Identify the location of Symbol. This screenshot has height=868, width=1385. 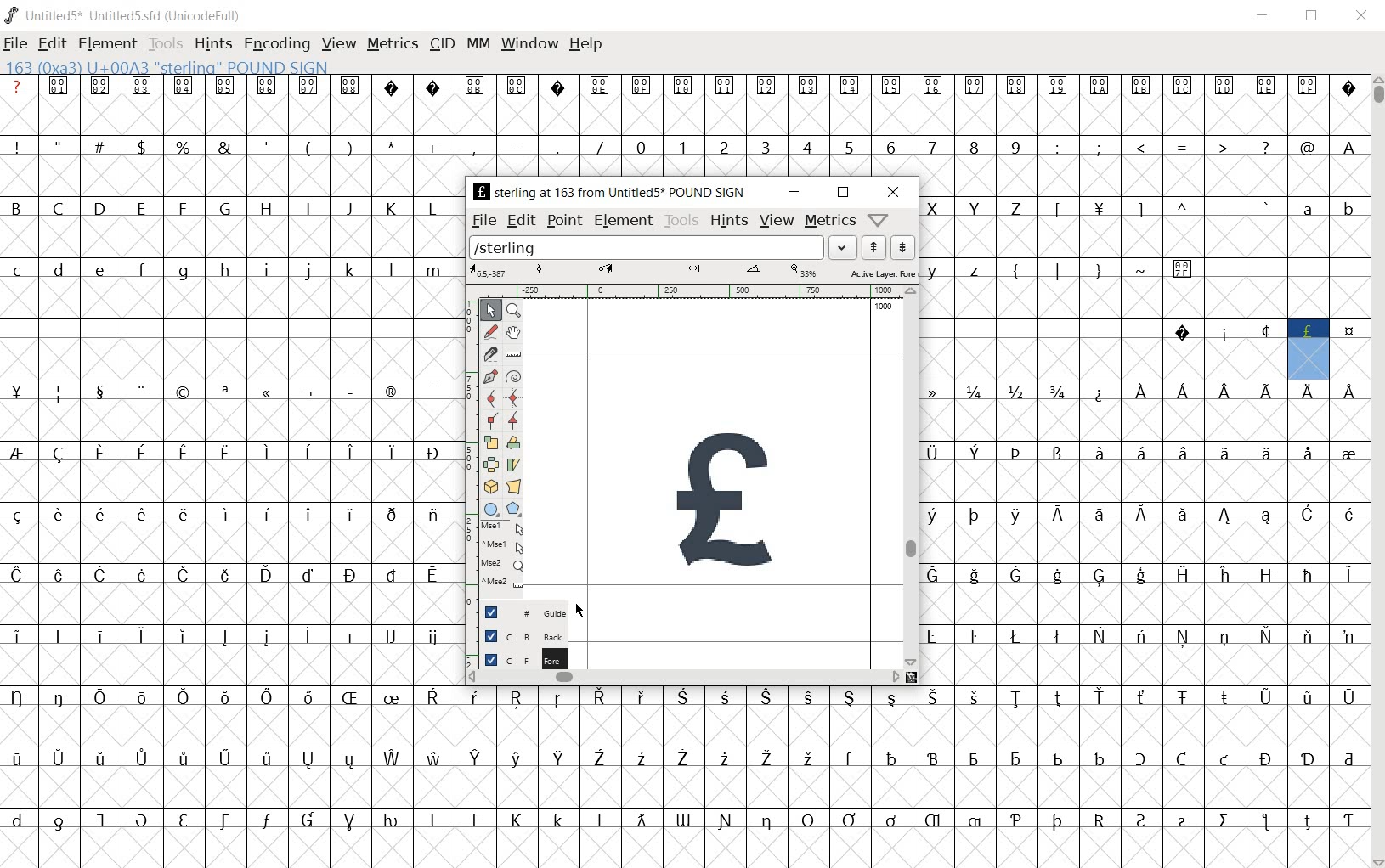
(849, 820).